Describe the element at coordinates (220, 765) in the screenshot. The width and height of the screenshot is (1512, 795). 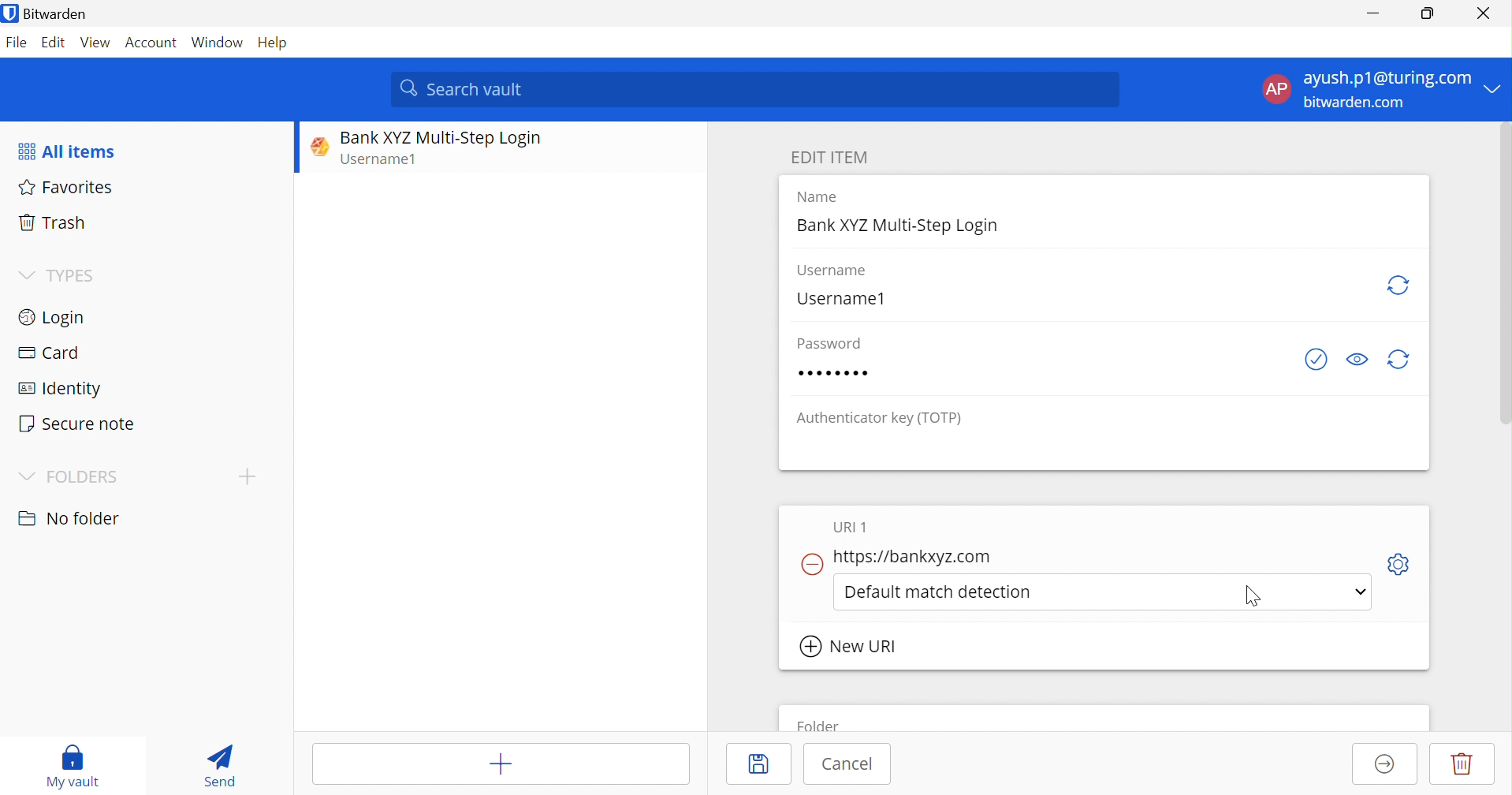
I see `Send` at that location.